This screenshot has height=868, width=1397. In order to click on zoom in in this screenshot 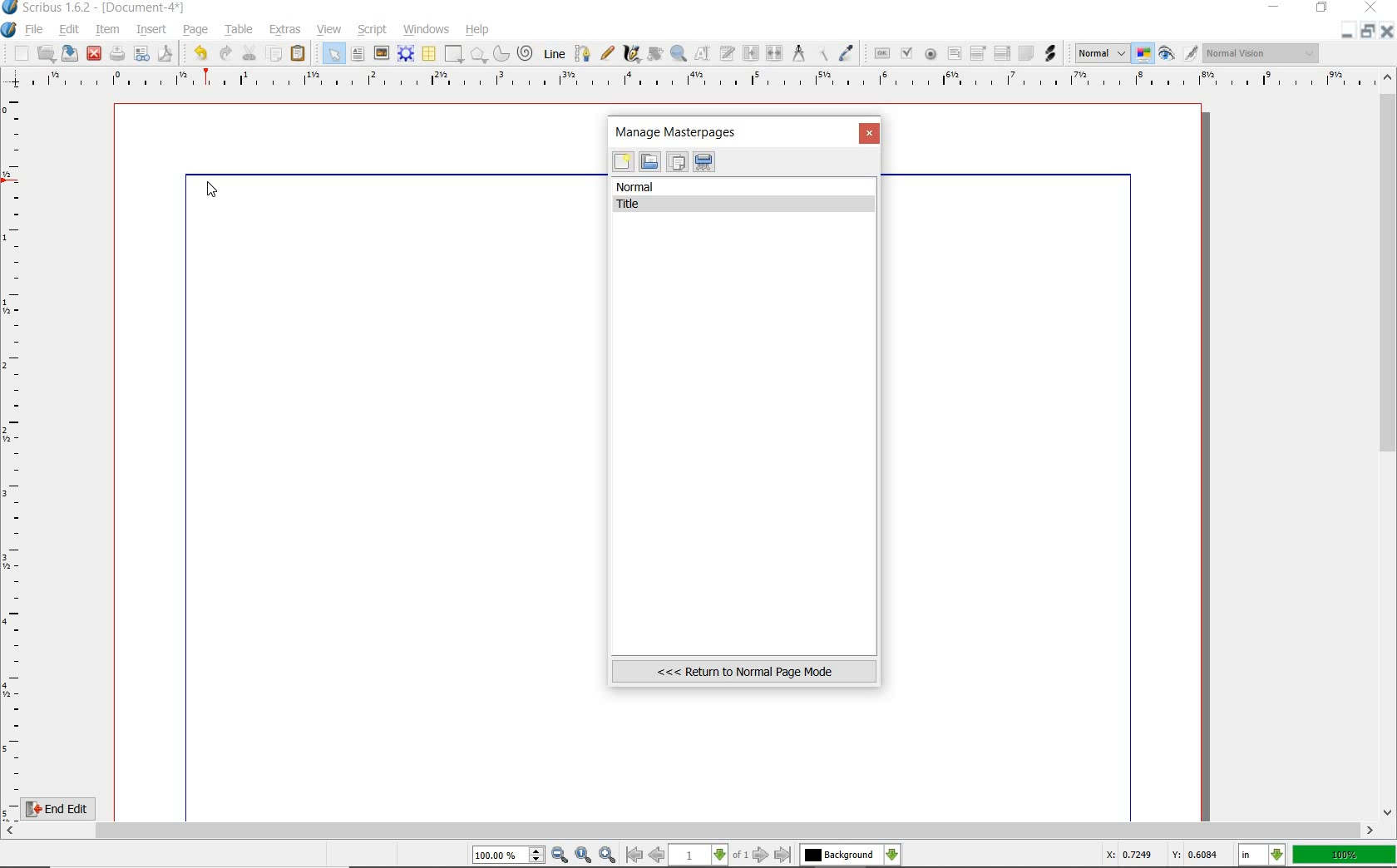, I will do `click(607, 854)`.